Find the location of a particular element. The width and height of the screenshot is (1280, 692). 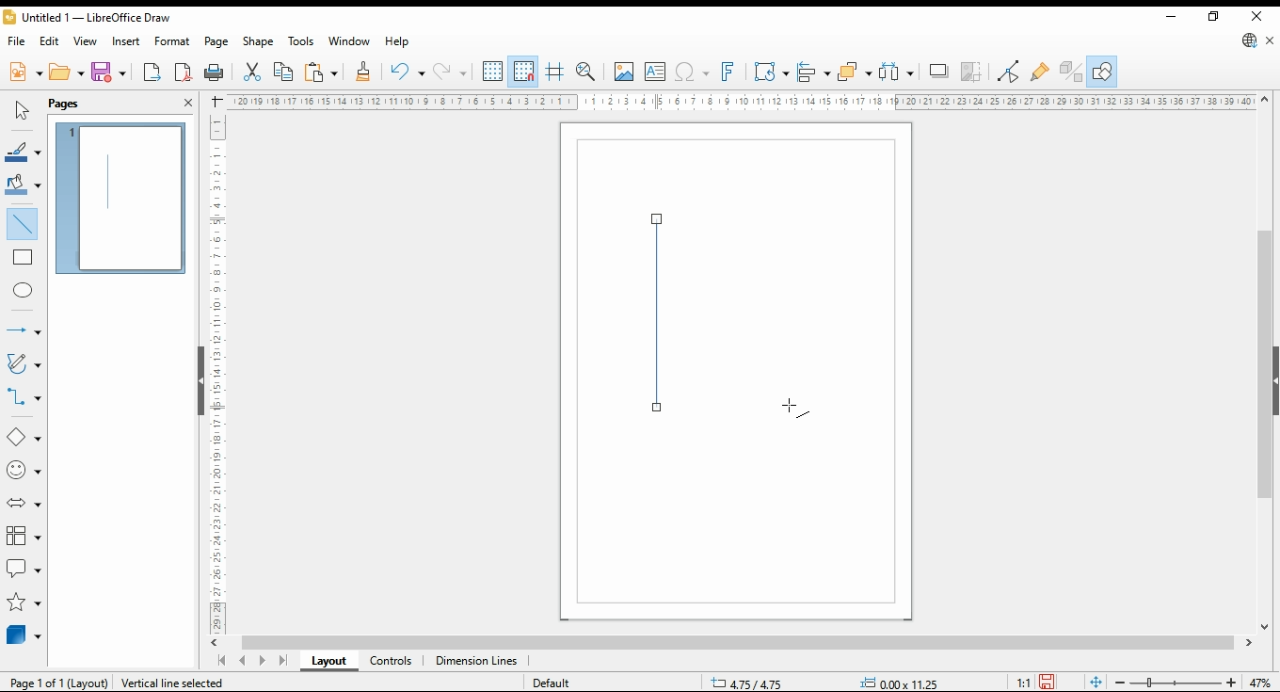

scroll bar is located at coordinates (1264, 364).